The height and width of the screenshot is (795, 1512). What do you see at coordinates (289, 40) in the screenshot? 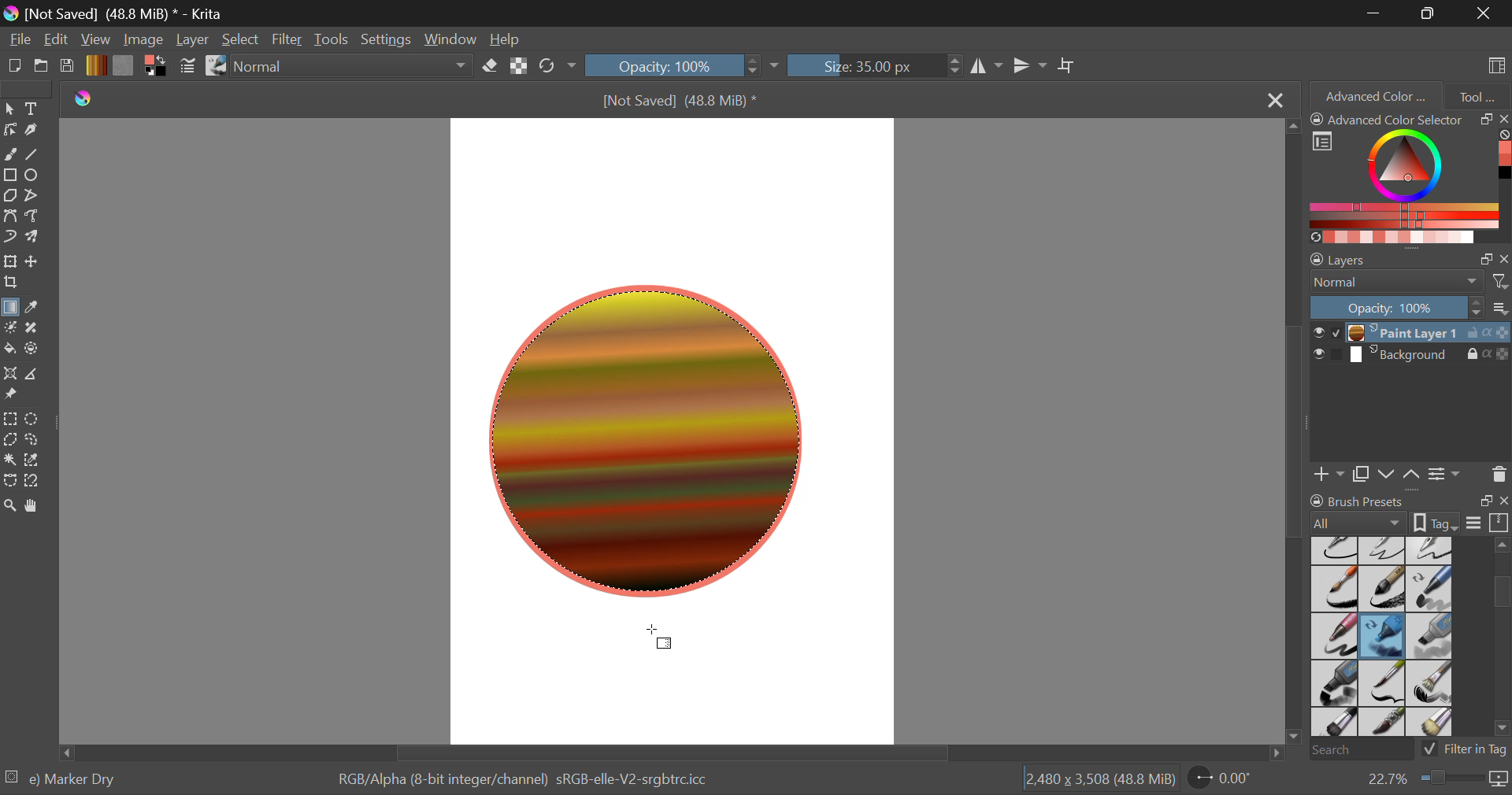
I see `Filter` at bounding box center [289, 40].